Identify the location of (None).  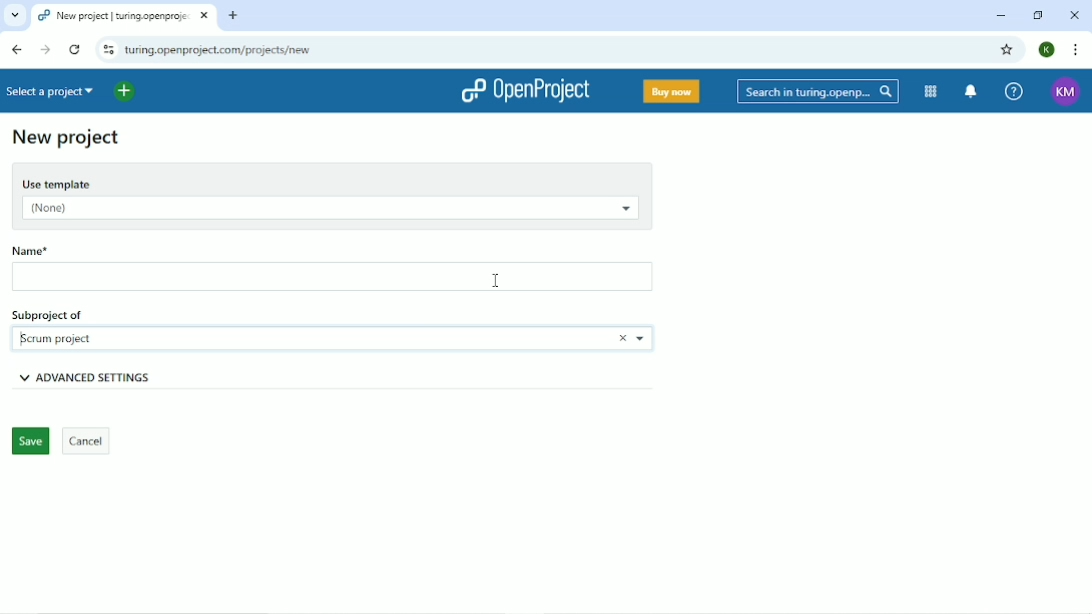
(327, 210).